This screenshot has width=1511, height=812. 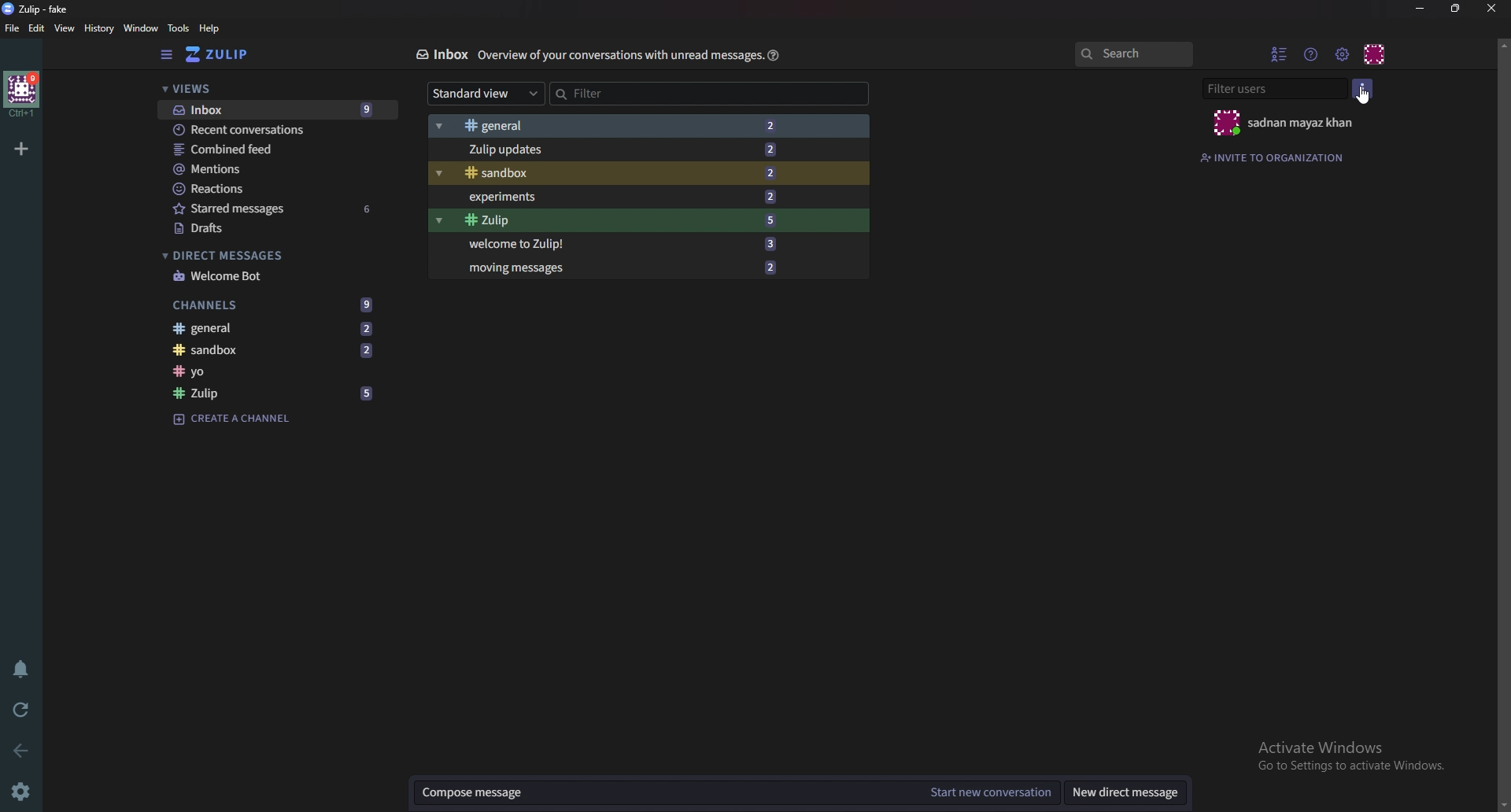 What do you see at coordinates (617, 93) in the screenshot?
I see `Filter` at bounding box center [617, 93].